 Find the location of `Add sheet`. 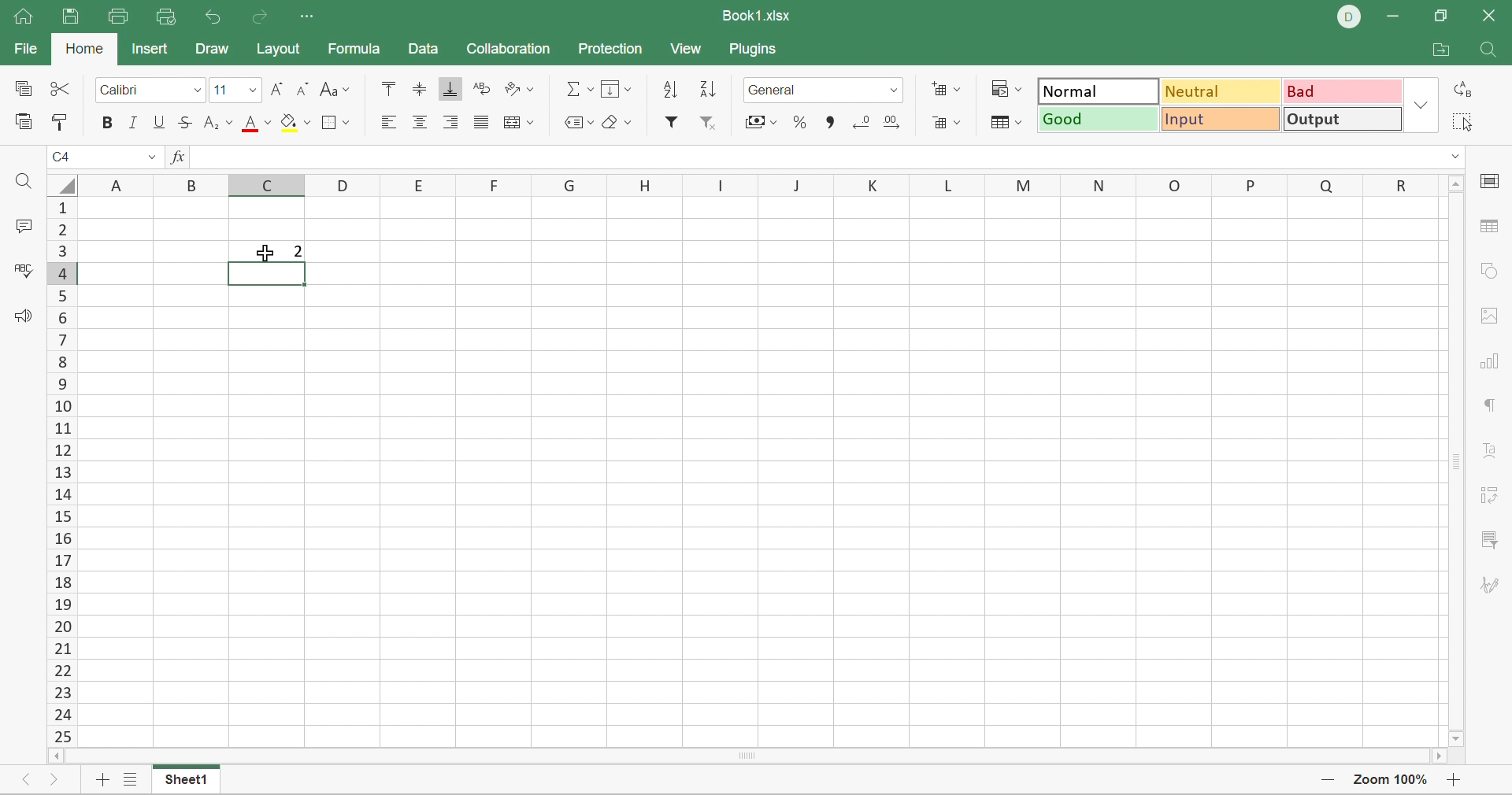

Add sheet is located at coordinates (101, 781).